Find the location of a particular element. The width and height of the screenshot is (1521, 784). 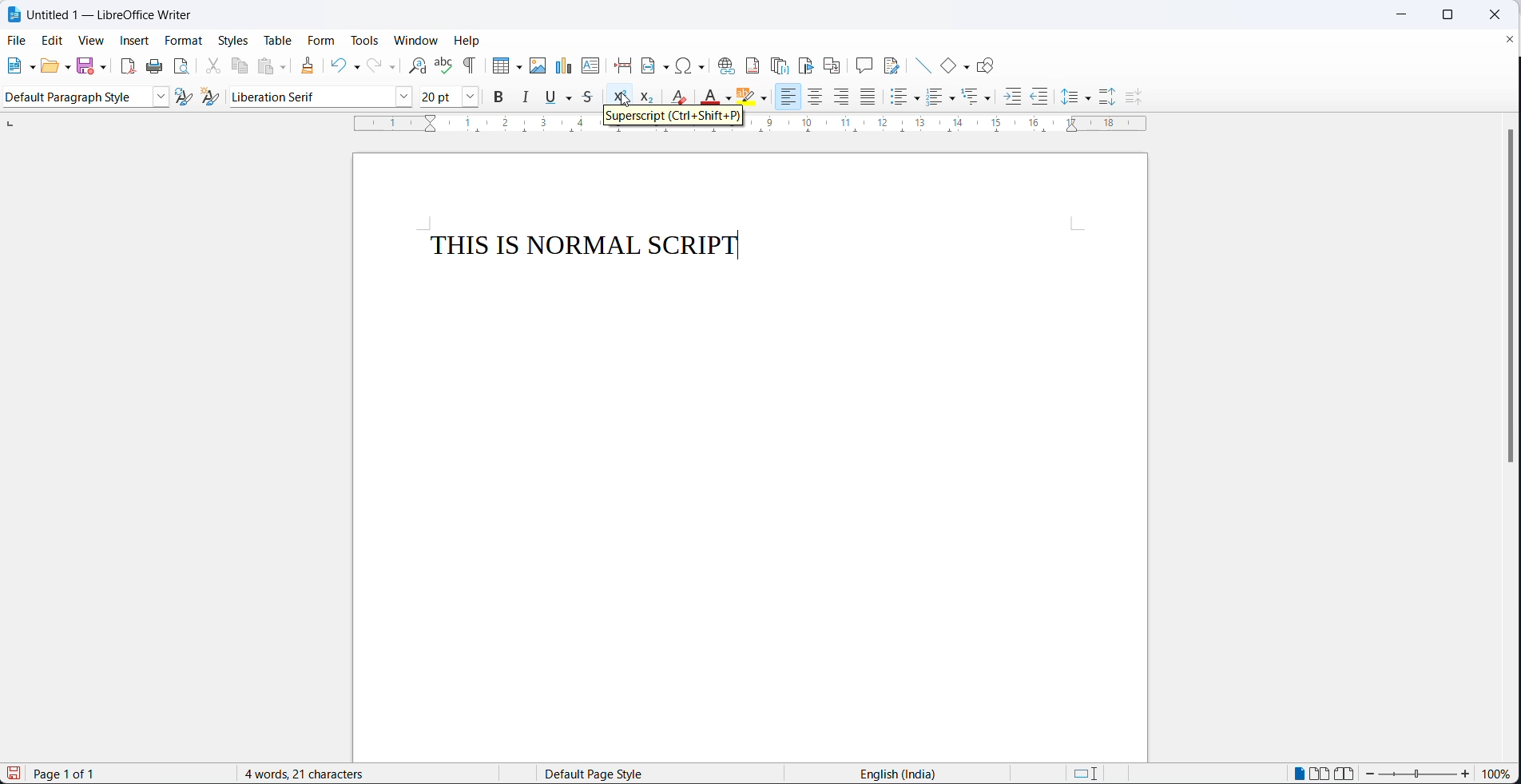

character highlighting is located at coordinates (766, 100).